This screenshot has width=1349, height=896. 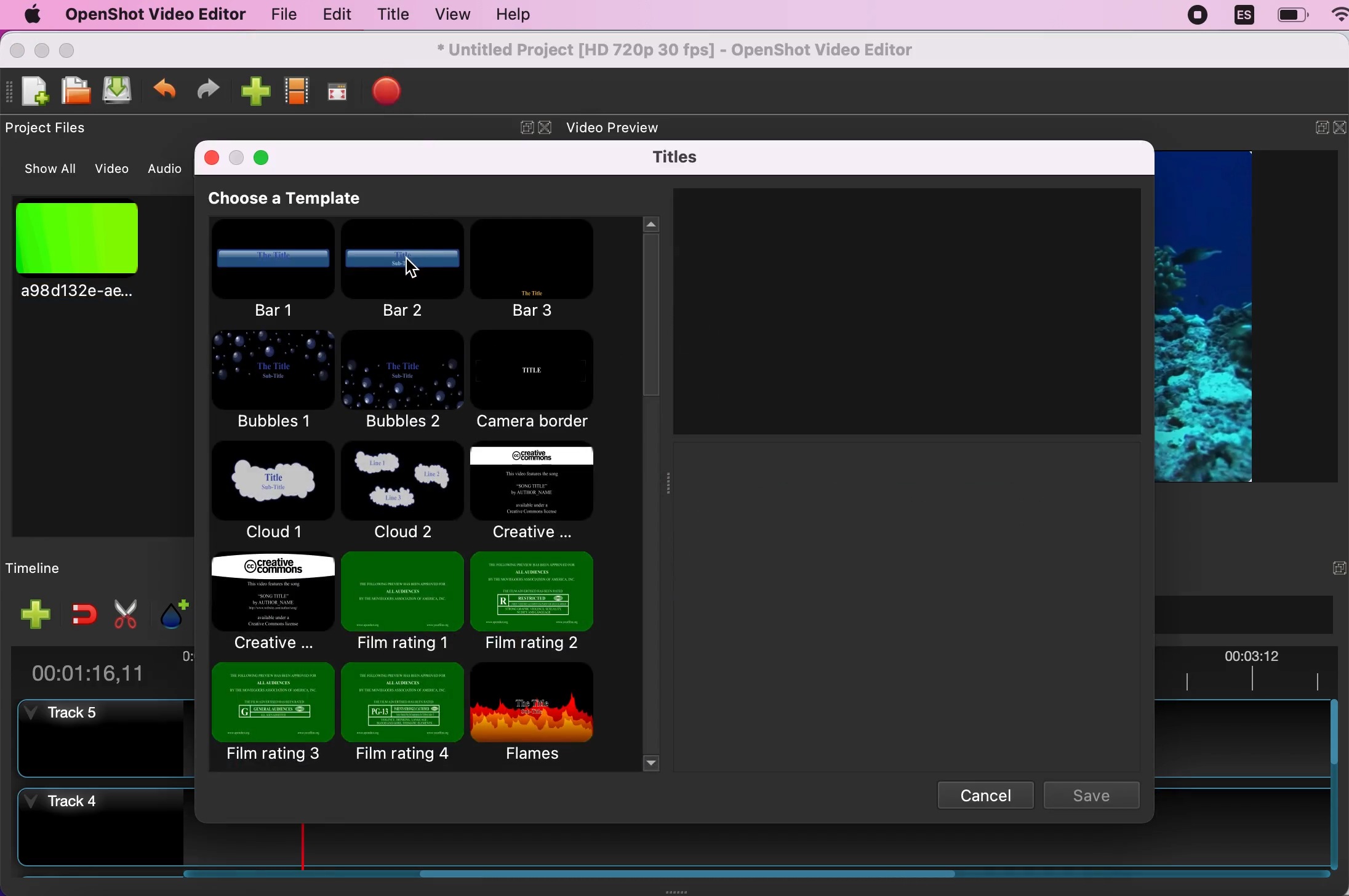 I want to click on add marker, so click(x=169, y=612).